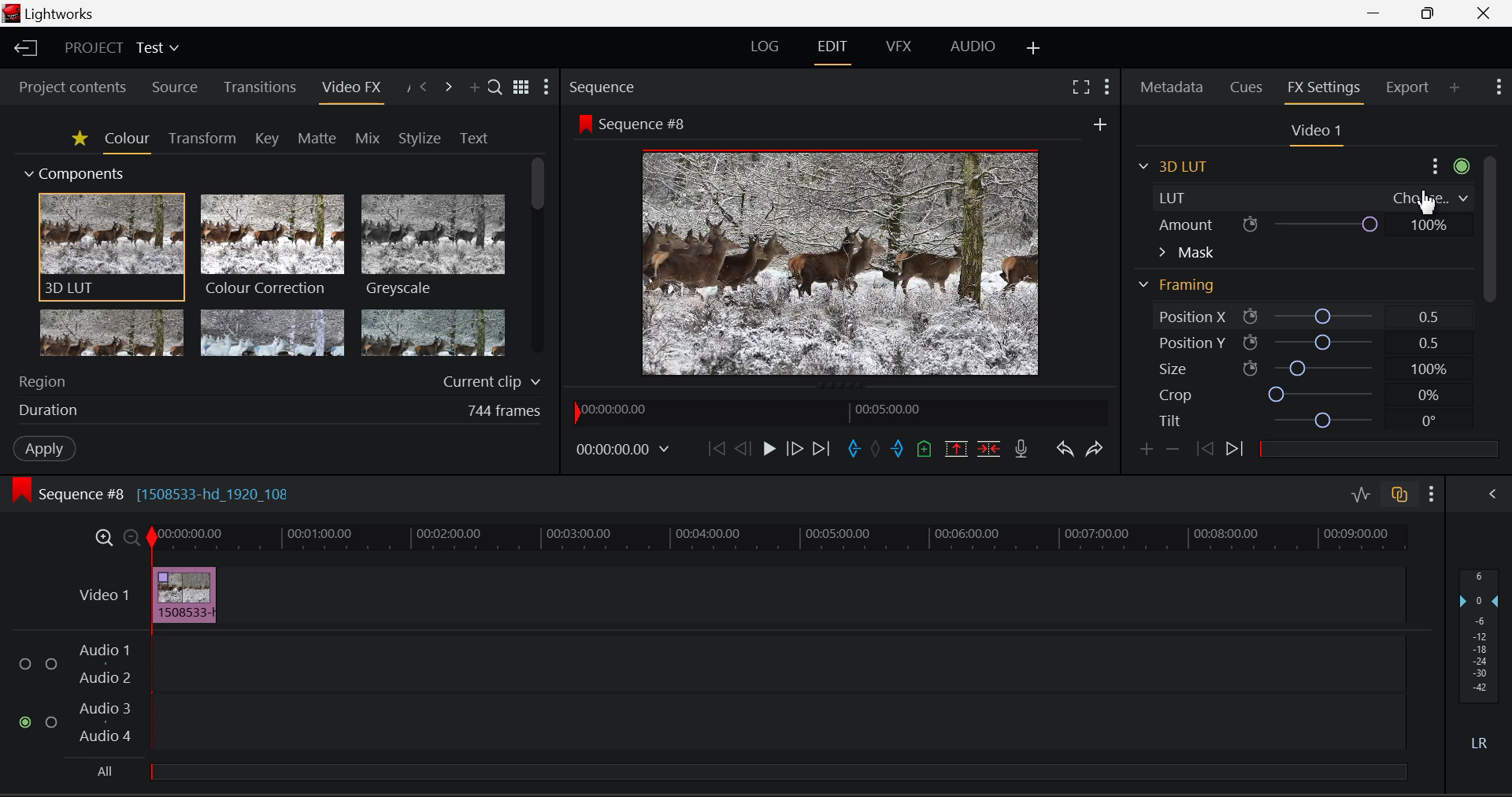 This screenshot has height=797, width=1512. What do you see at coordinates (188, 594) in the screenshot?
I see `Effect Applied` at bounding box center [188, 594].